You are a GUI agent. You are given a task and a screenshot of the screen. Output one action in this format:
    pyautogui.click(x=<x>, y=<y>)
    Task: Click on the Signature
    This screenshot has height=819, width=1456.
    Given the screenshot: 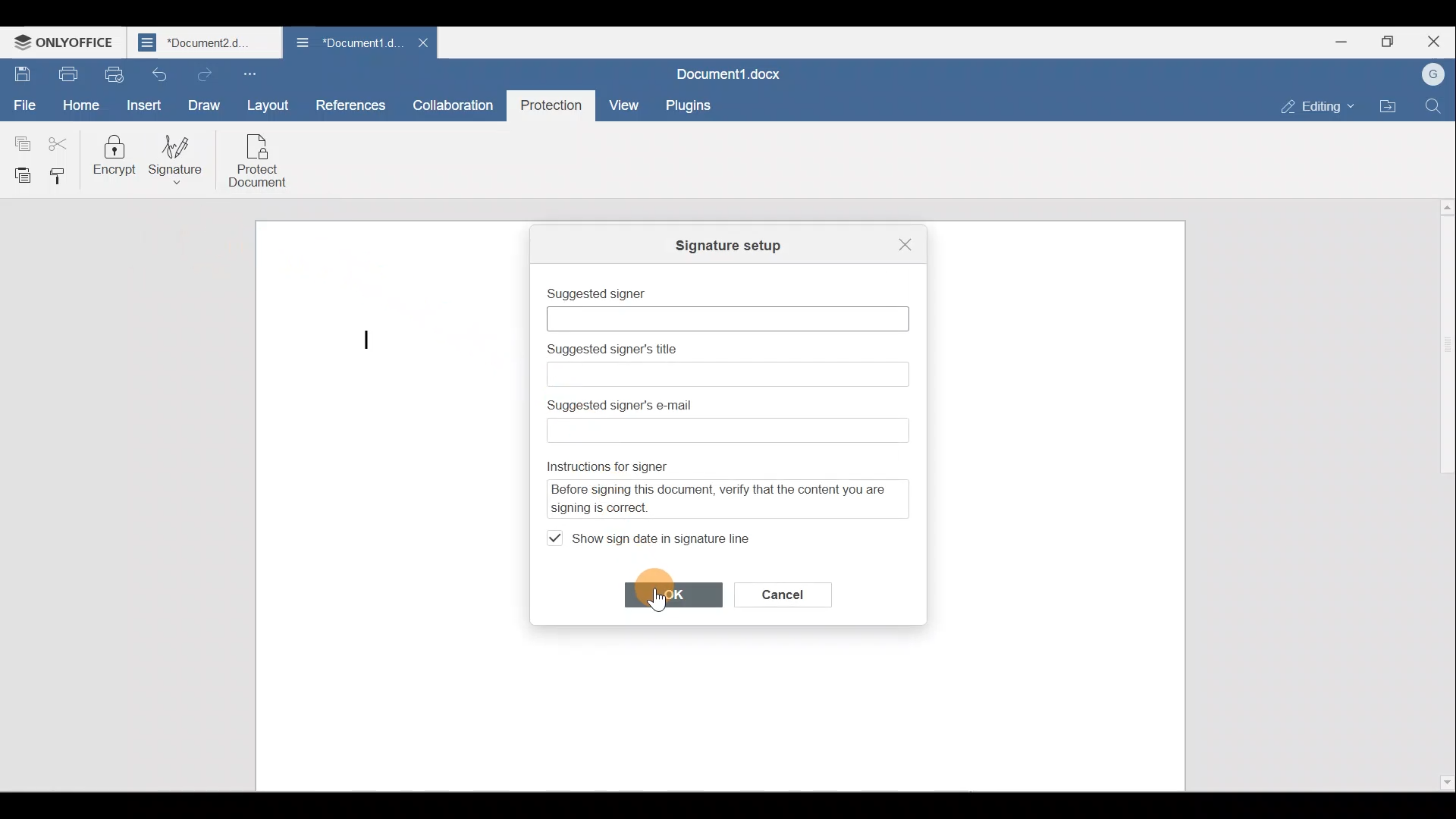 What is the action you would take?
    pyautogui.click(x=187, y=162)
    